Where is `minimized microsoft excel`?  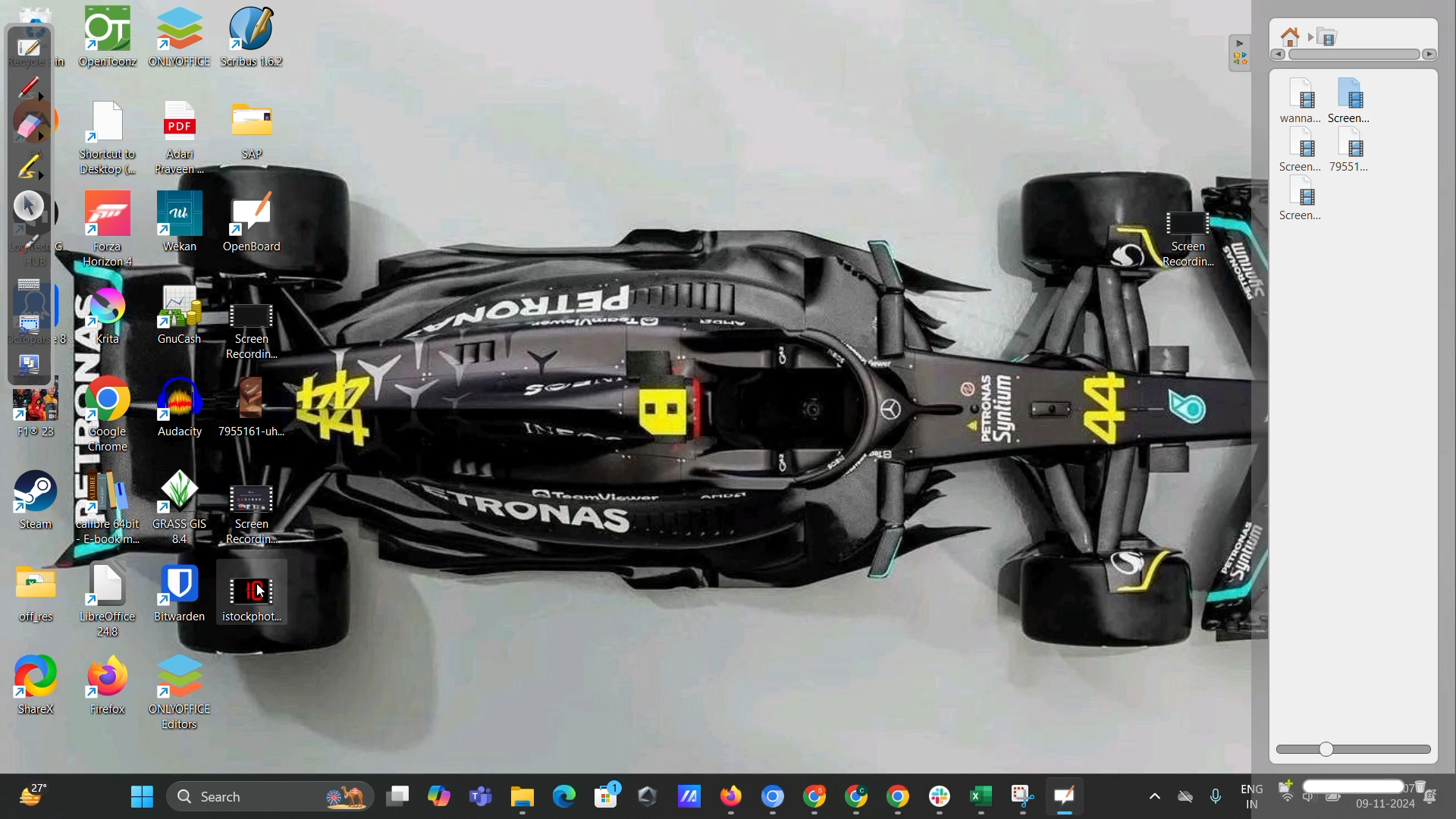
minimized microsoft excel is located at coordinates (981, 796).